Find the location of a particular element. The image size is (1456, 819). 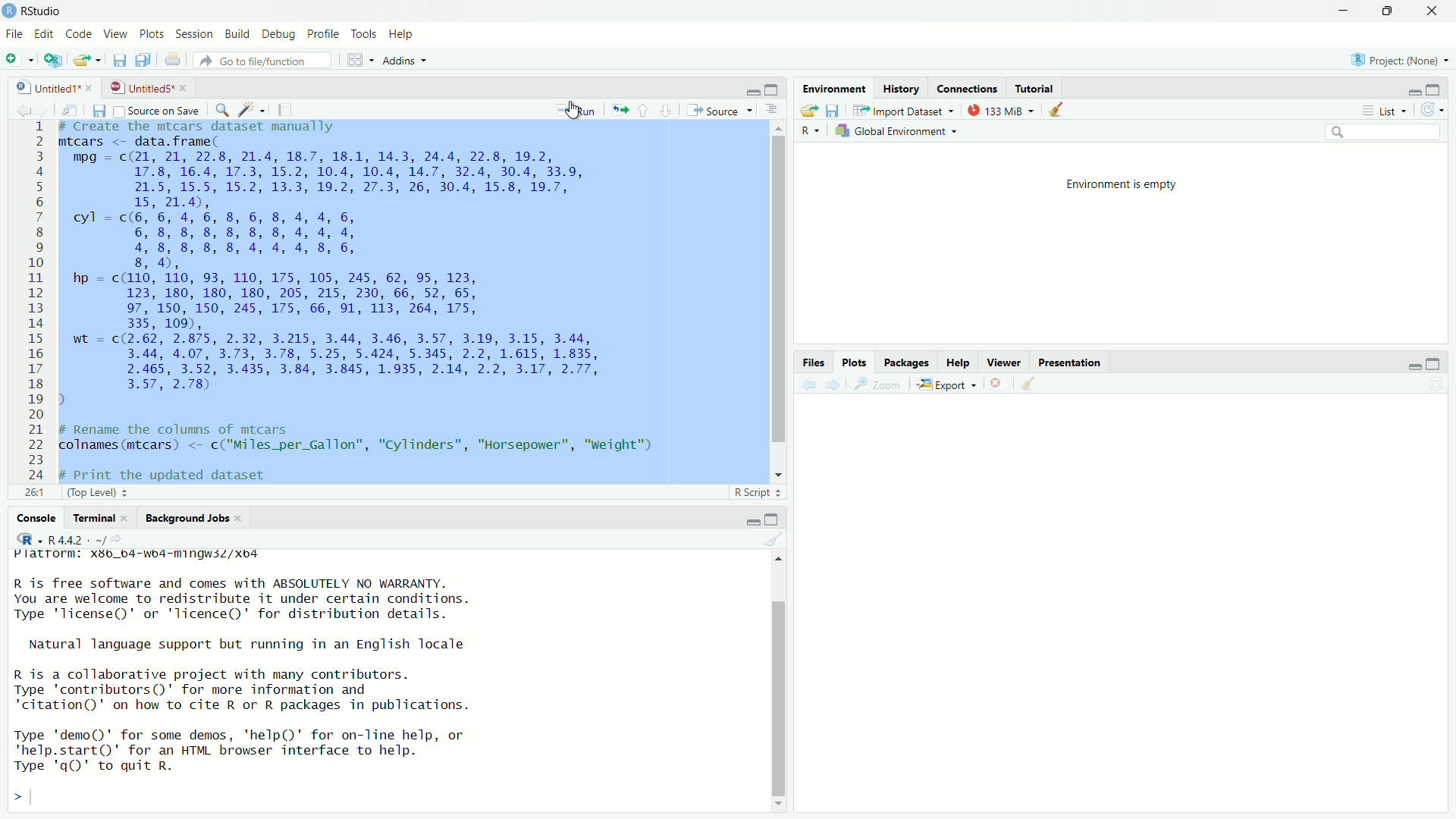

zoom is located at coordinates (880, 385).